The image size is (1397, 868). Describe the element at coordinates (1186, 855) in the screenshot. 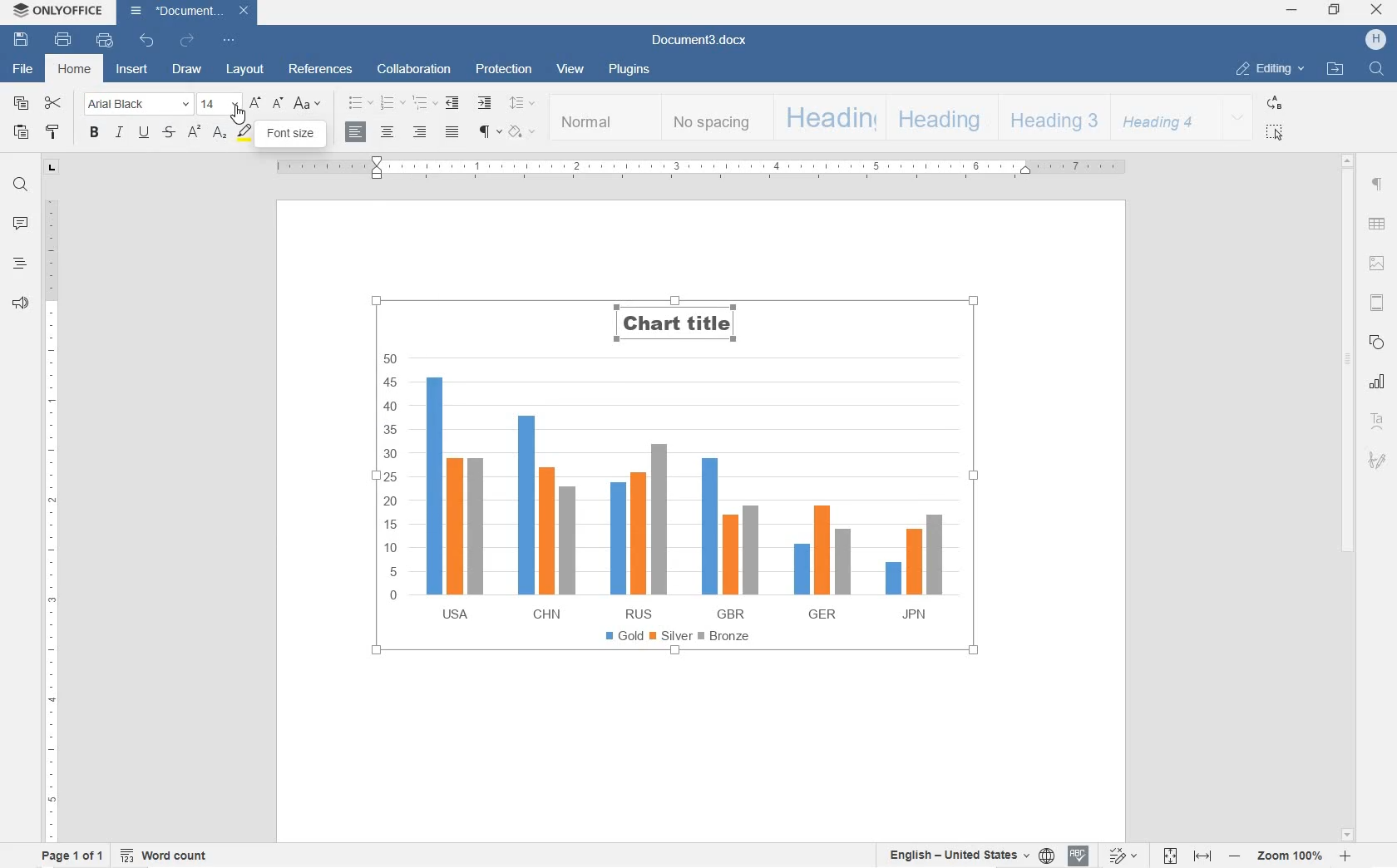

I see `FIT TO PAGE OR WIDTH` at that location.